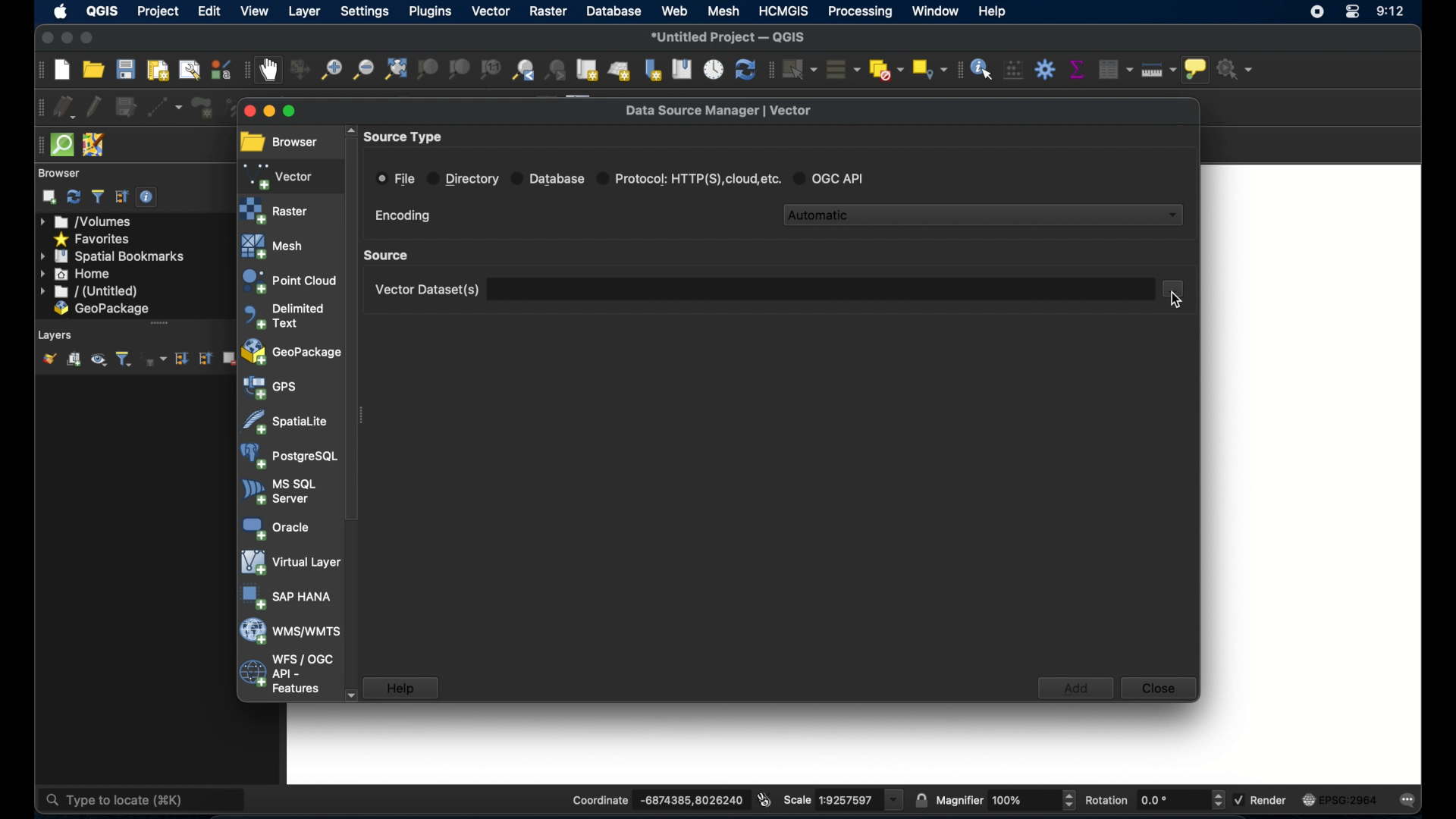 Image resolution: width=1456 pixels, height=819 pixels. Describe the element at coordinates (301, 113) in the screenshot. I see `maximize` at that location.